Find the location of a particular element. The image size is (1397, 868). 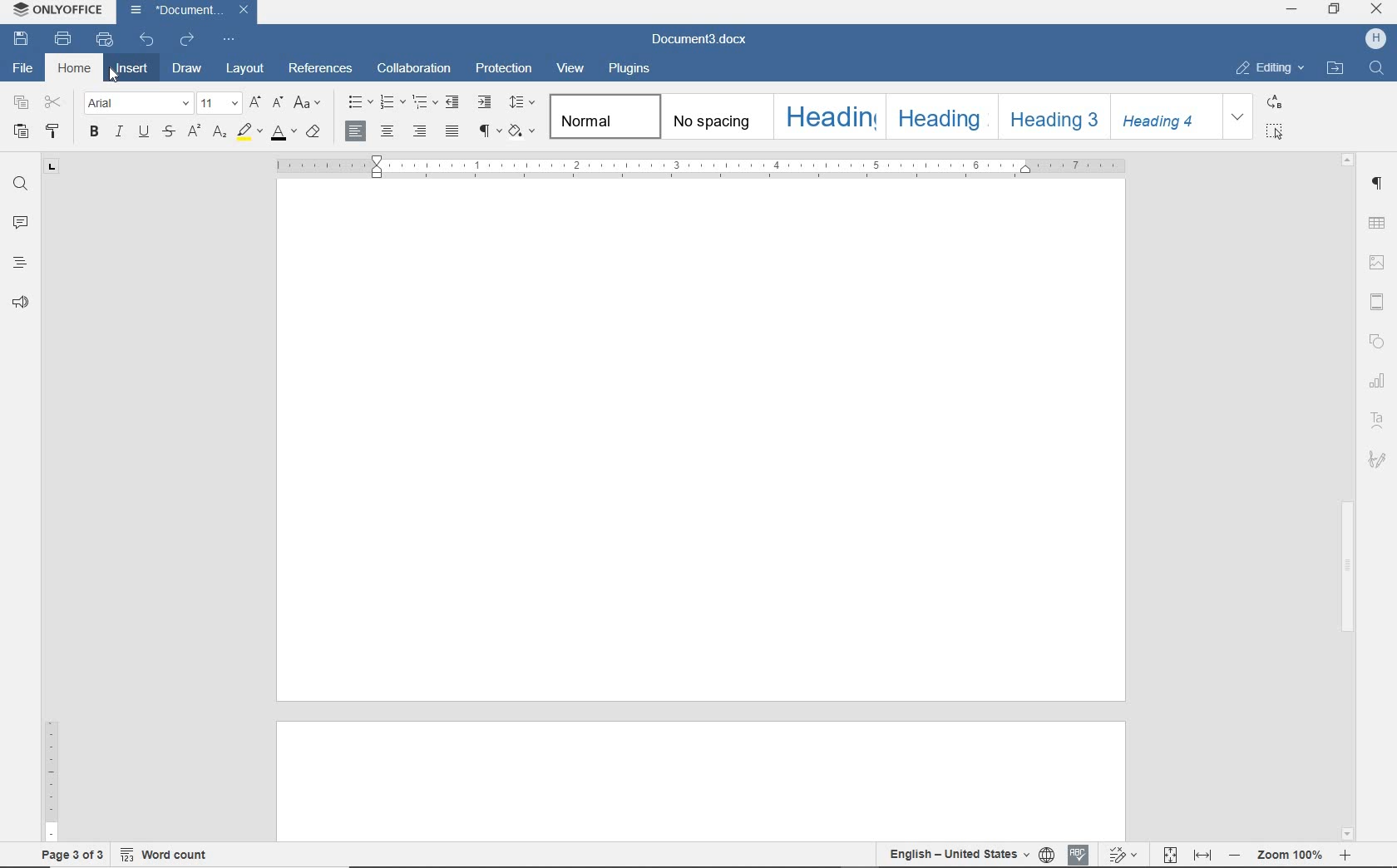

PLUGINS is located at coordinates (630, 69).